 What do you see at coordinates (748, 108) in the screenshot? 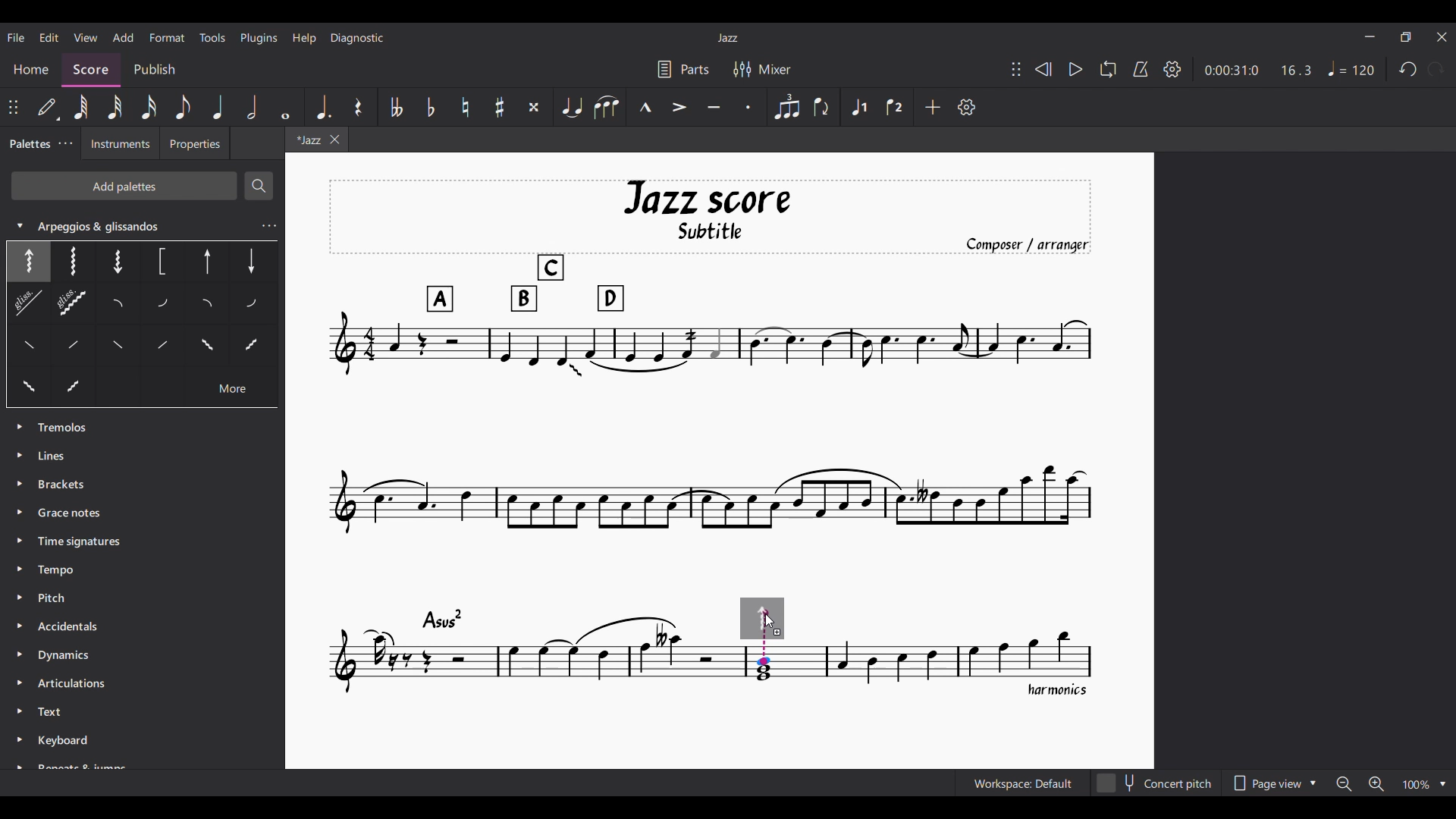
I see `Staccato` at bounding box center [748, 108].